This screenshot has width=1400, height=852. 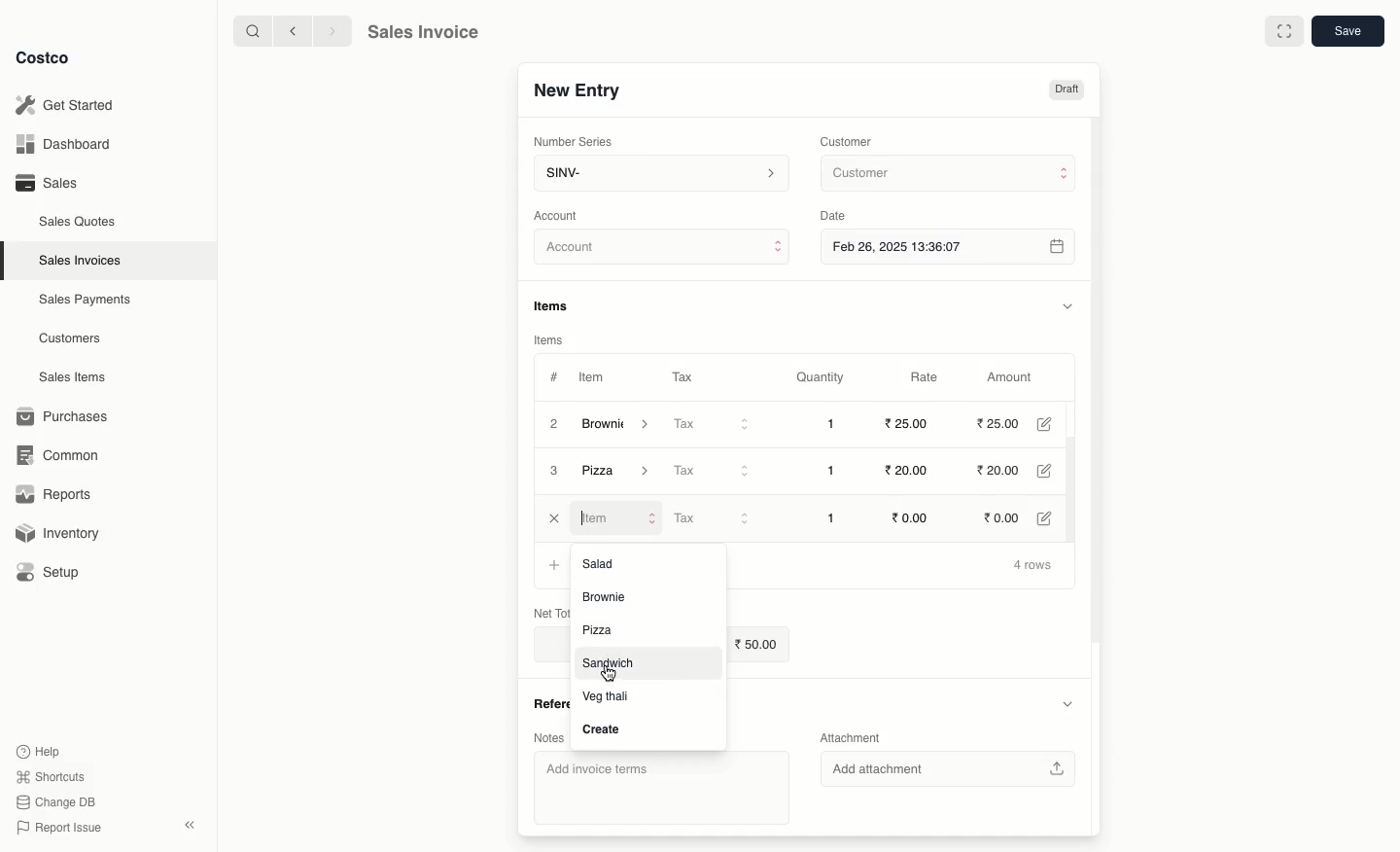 What do you see at coordinates (549, 339) in the screenshot?
I see `Items` at bounding box center [549, 339].